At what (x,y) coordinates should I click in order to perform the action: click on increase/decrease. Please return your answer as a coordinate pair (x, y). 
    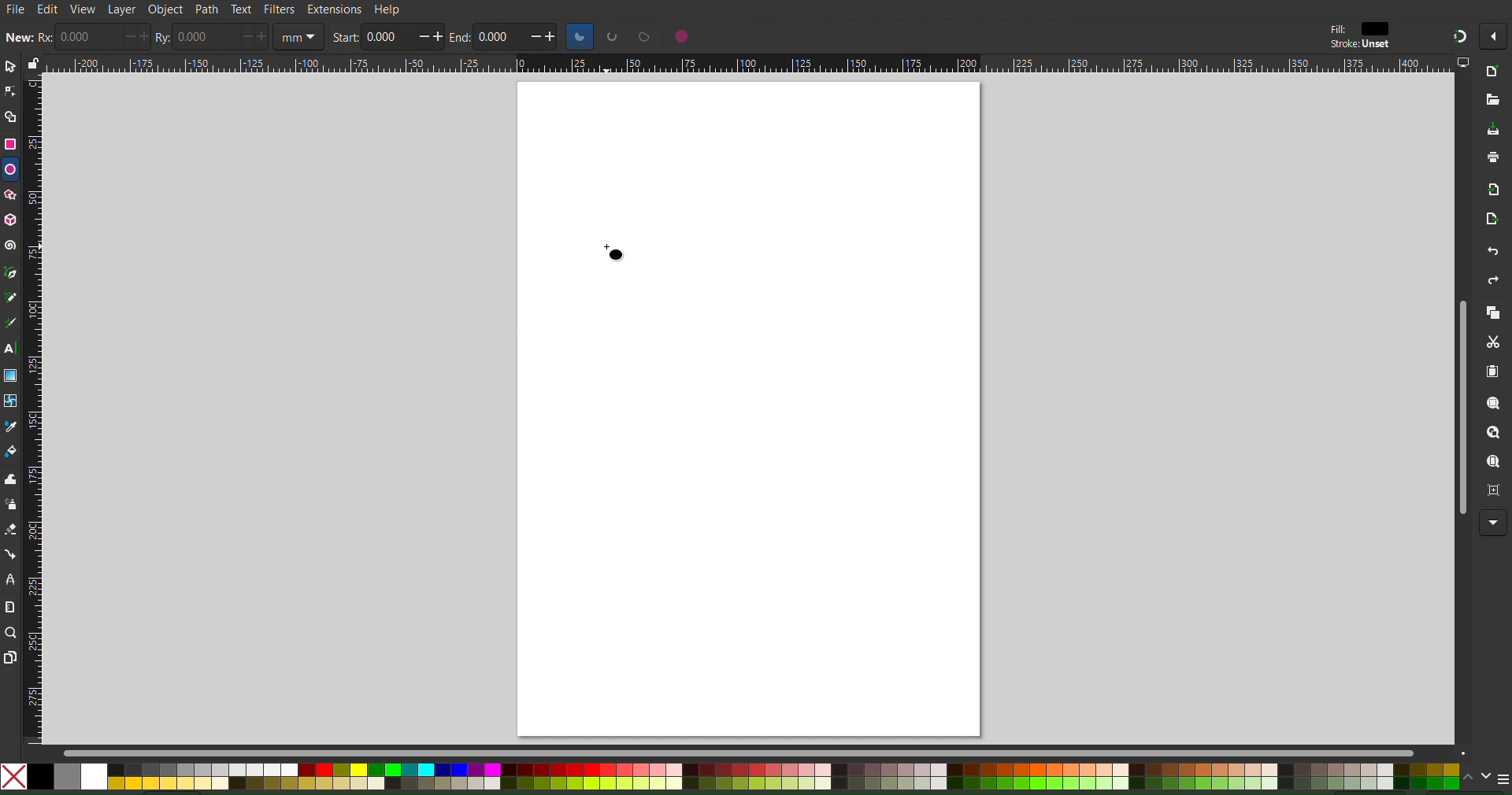
    Looking at the image, I should click on (253, 36).